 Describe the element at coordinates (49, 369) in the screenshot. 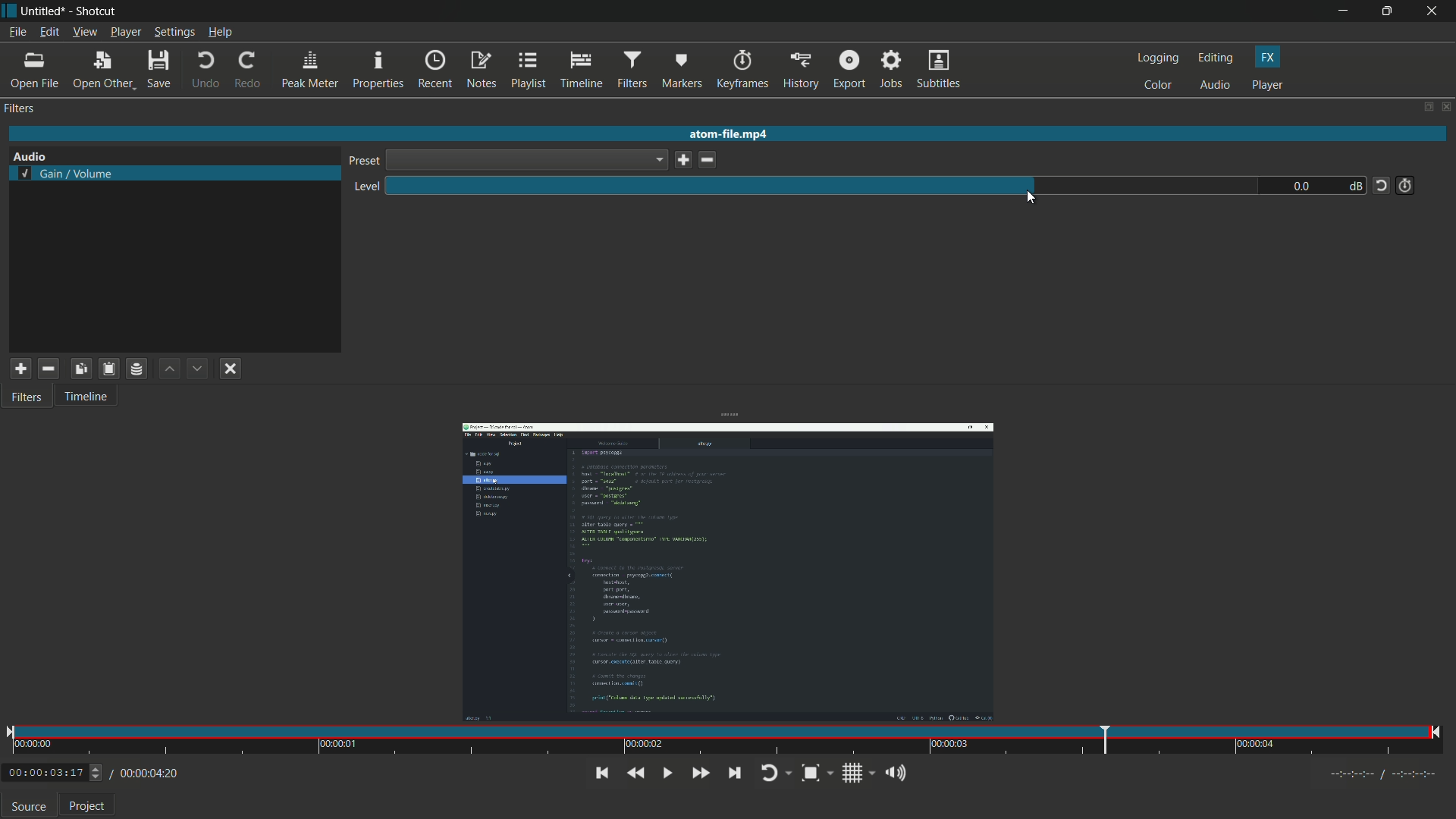

I see `remove selected filter` at that location.